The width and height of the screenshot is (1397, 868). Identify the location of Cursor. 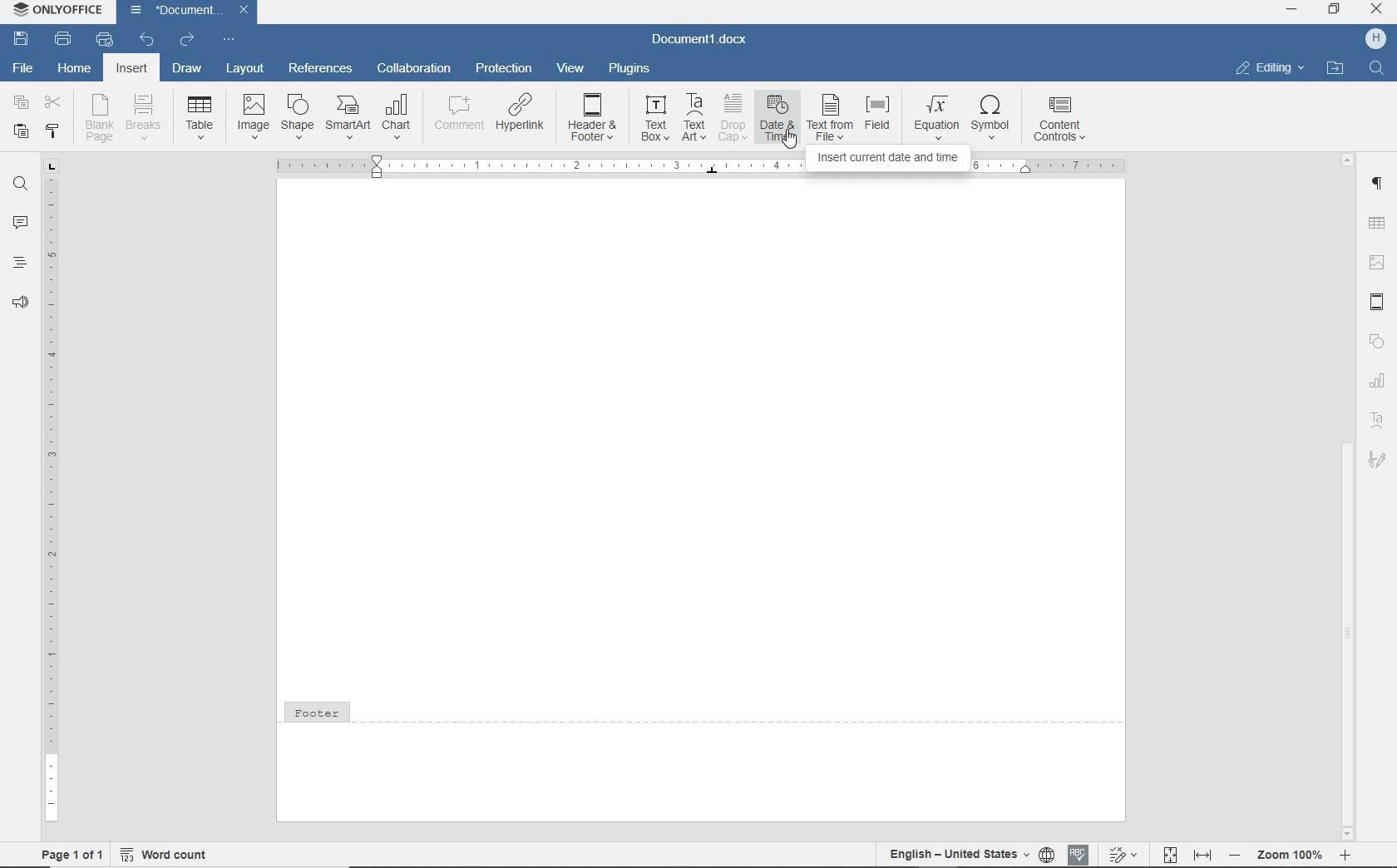
(786, 138).